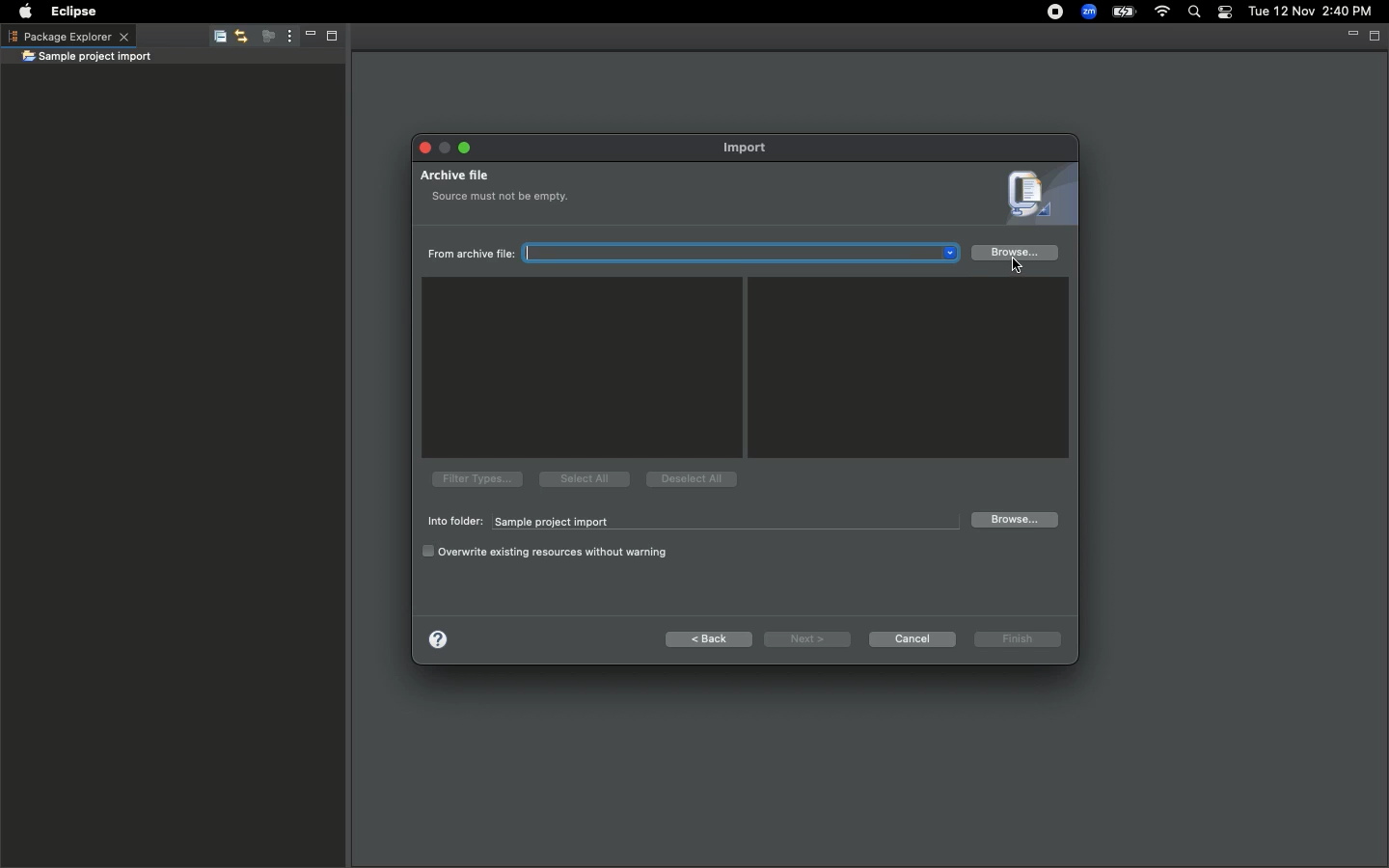 The width and height of the screenshot is (1389, 868). Describe the element at coordinates (548, 552) in the screenshot. I see `Overwrite existing resources without warning` at that location.